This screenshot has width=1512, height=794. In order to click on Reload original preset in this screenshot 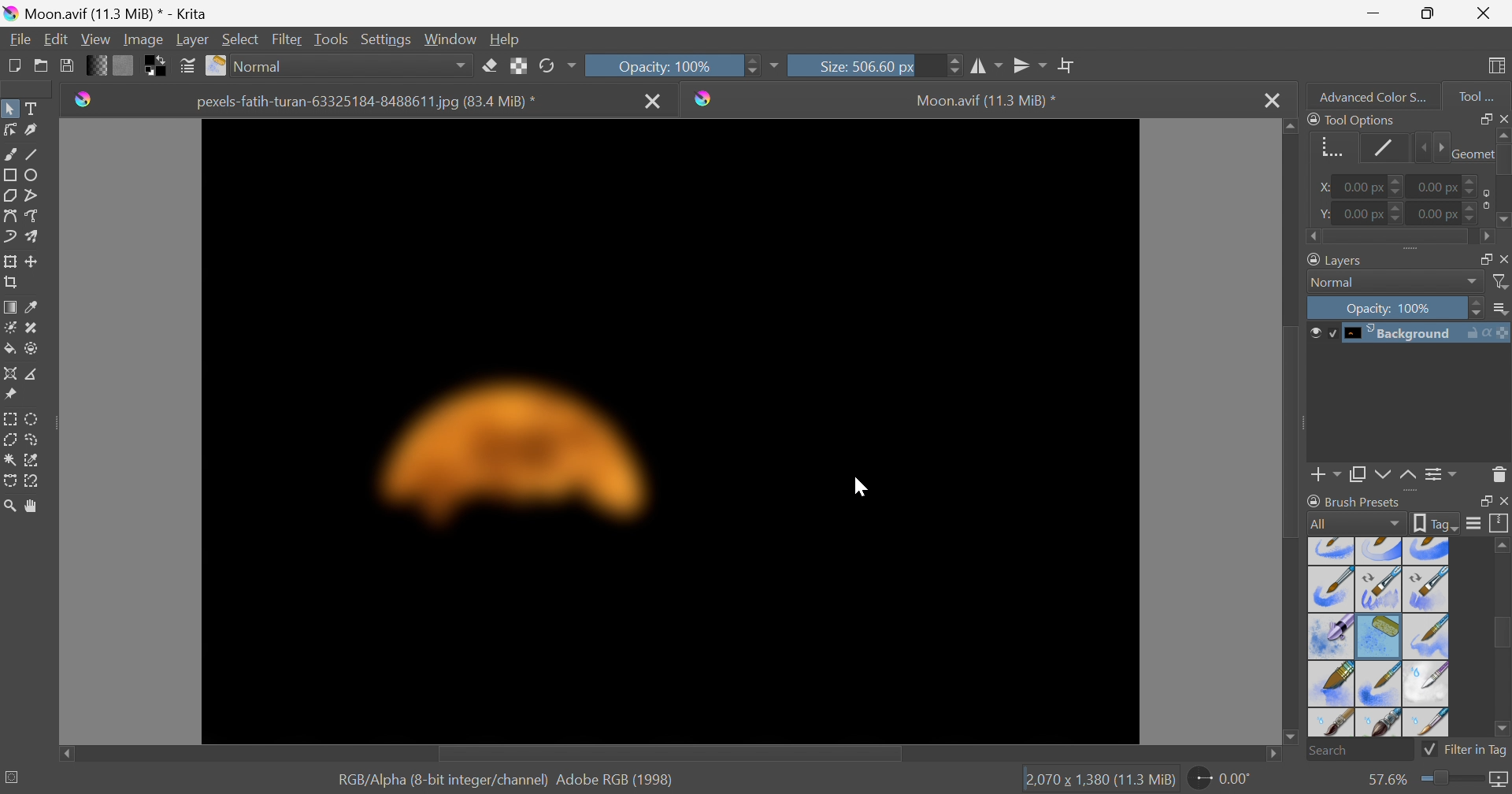, I will do `click(556, 66)`.